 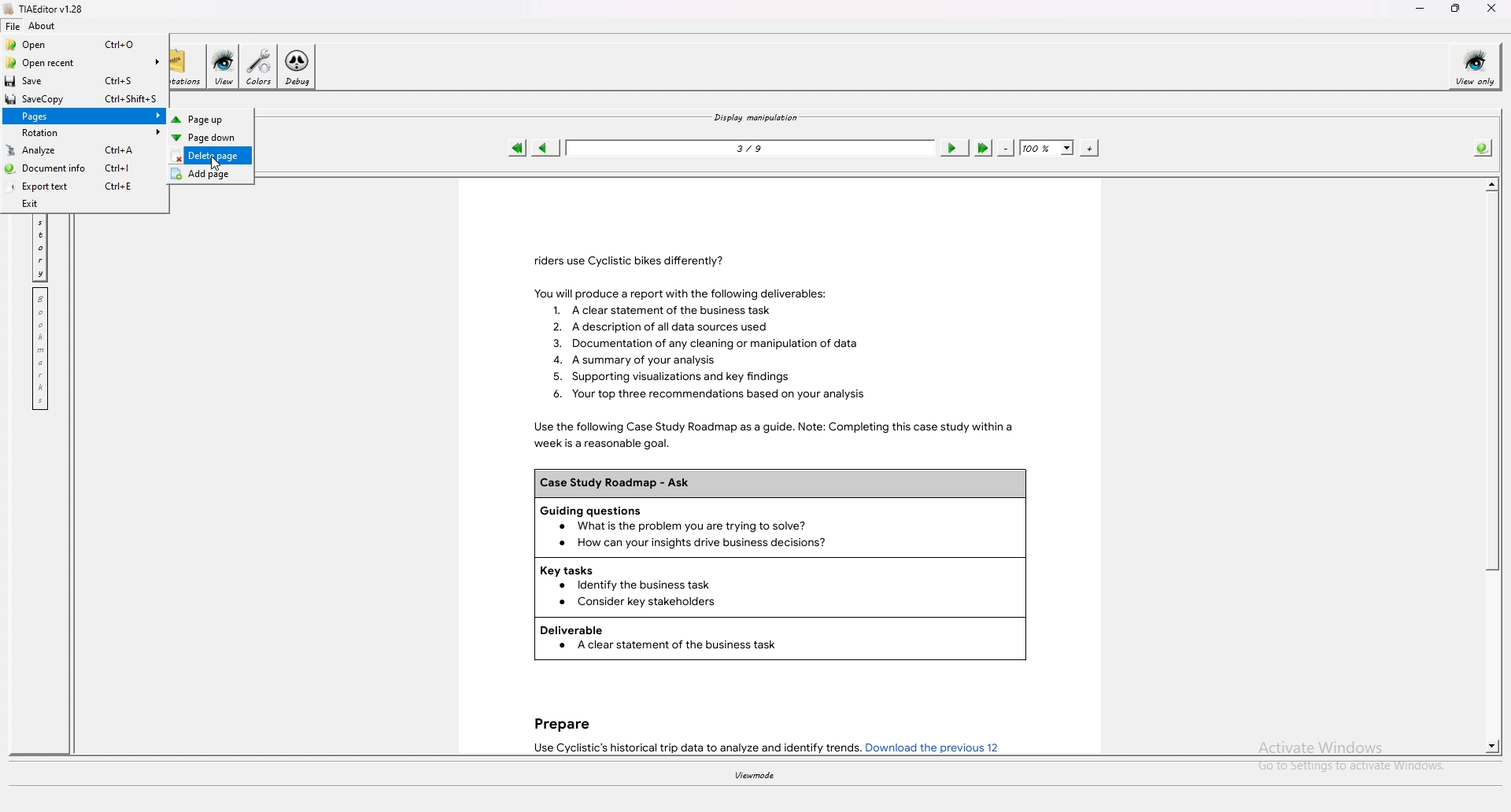 What do you see at coordinates (1491, 382) in the screenshot?
I see `scroll bar` at bounding box center [1491, 382].